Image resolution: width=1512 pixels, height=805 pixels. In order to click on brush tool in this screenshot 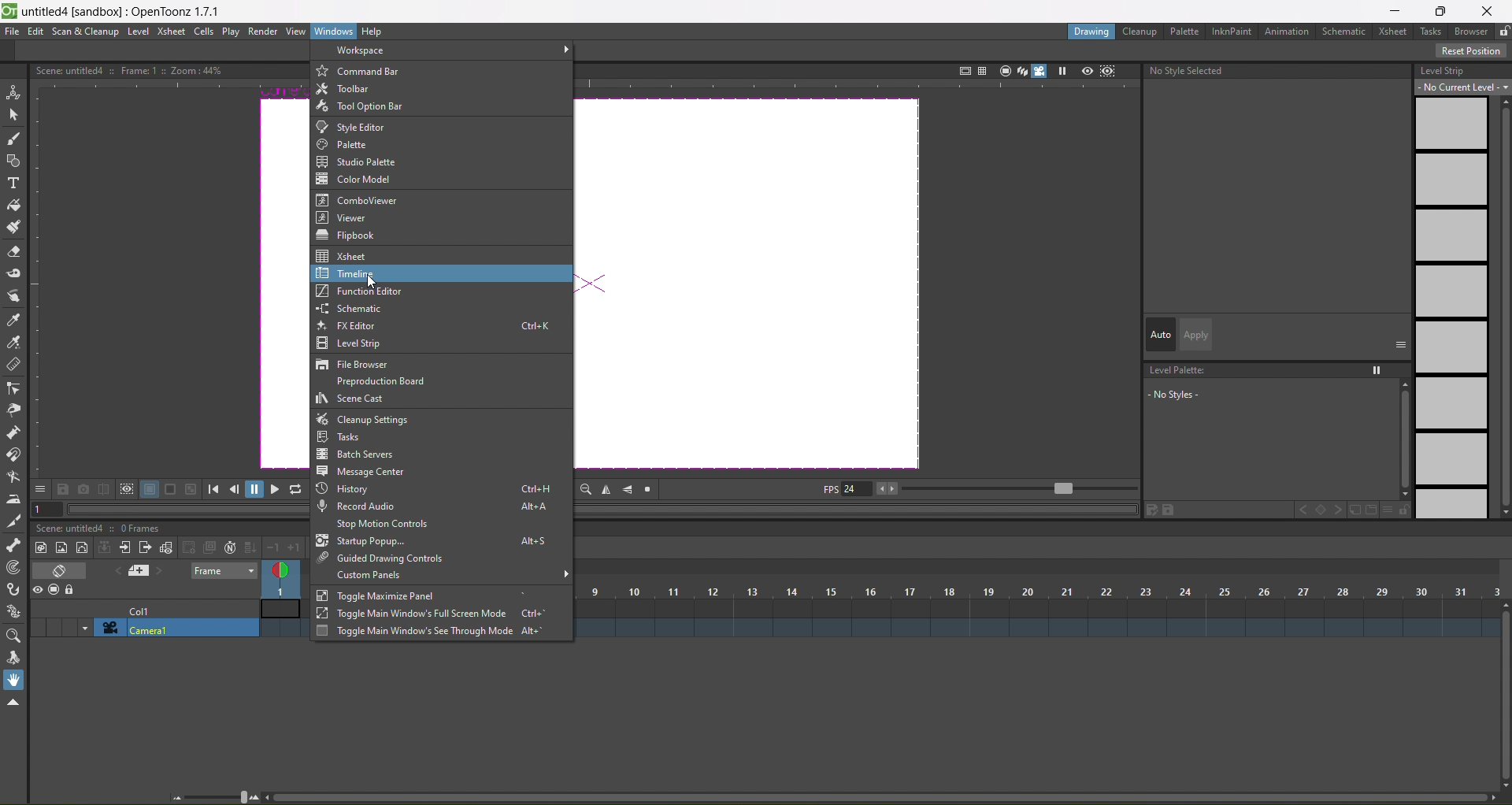, I will do `click(14, 139)`.